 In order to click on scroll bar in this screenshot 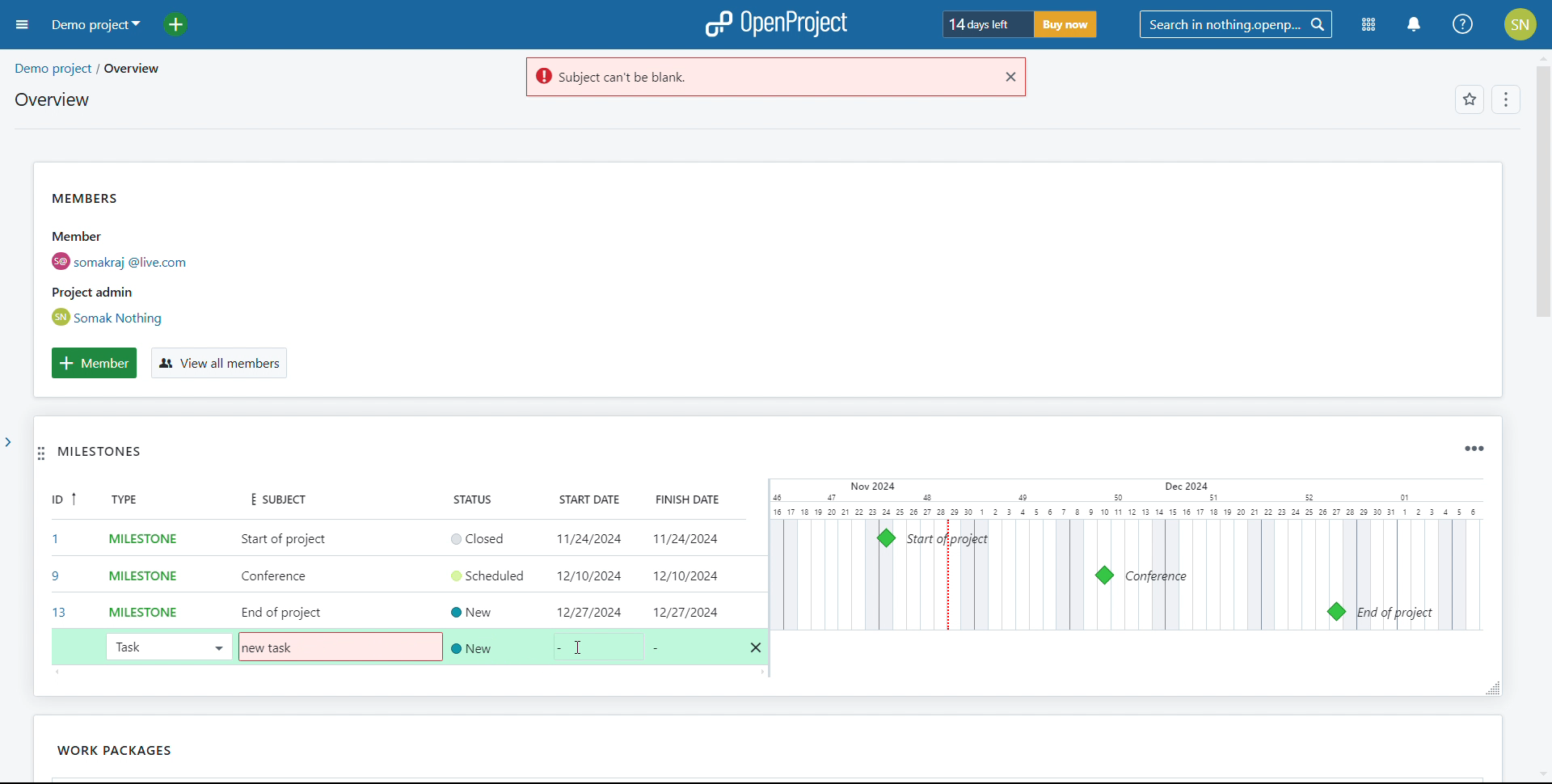, I will do `click(1540, 213)`.